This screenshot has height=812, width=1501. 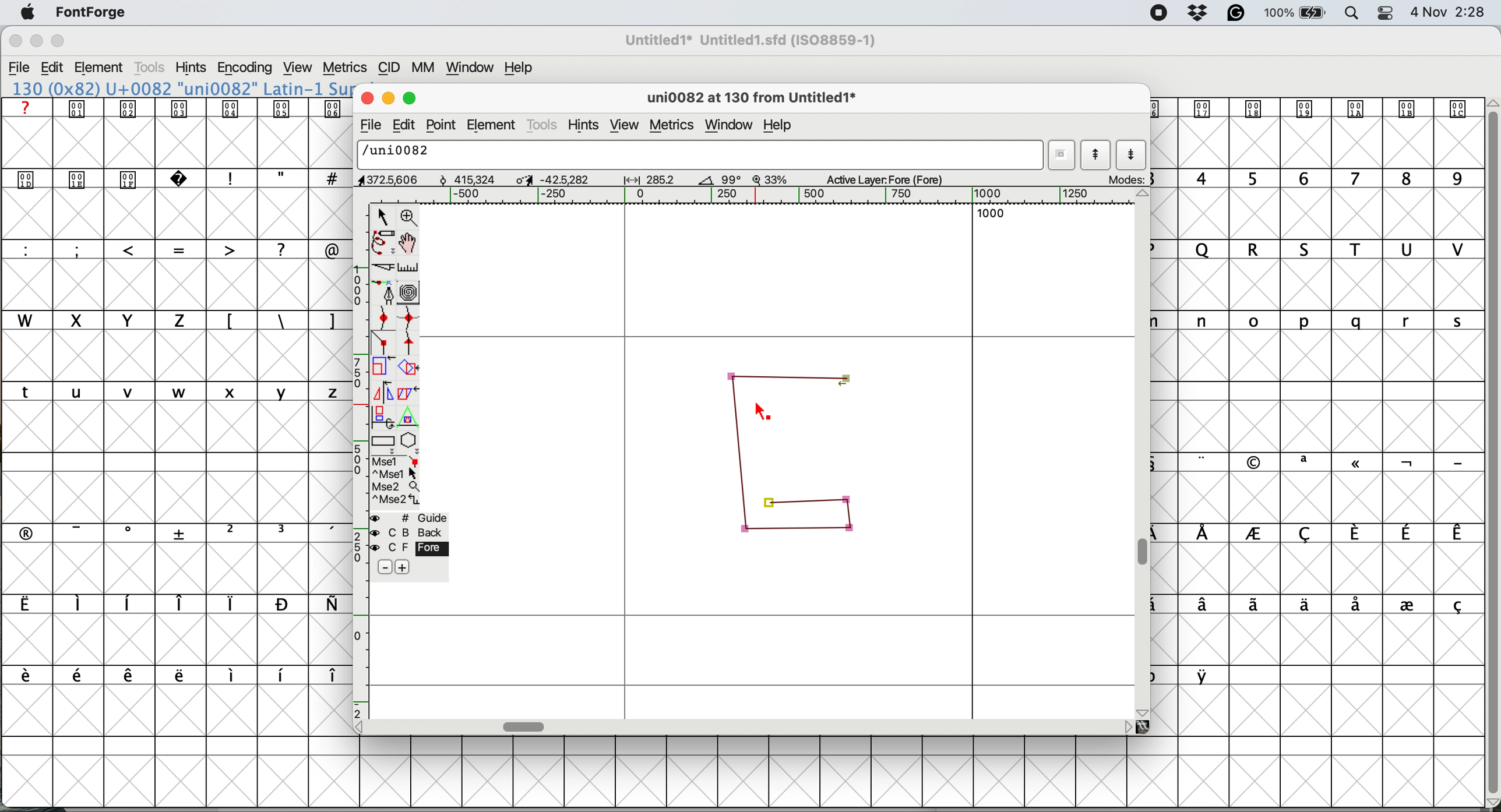 I want to click on symbols, so click(x=172, y=604).